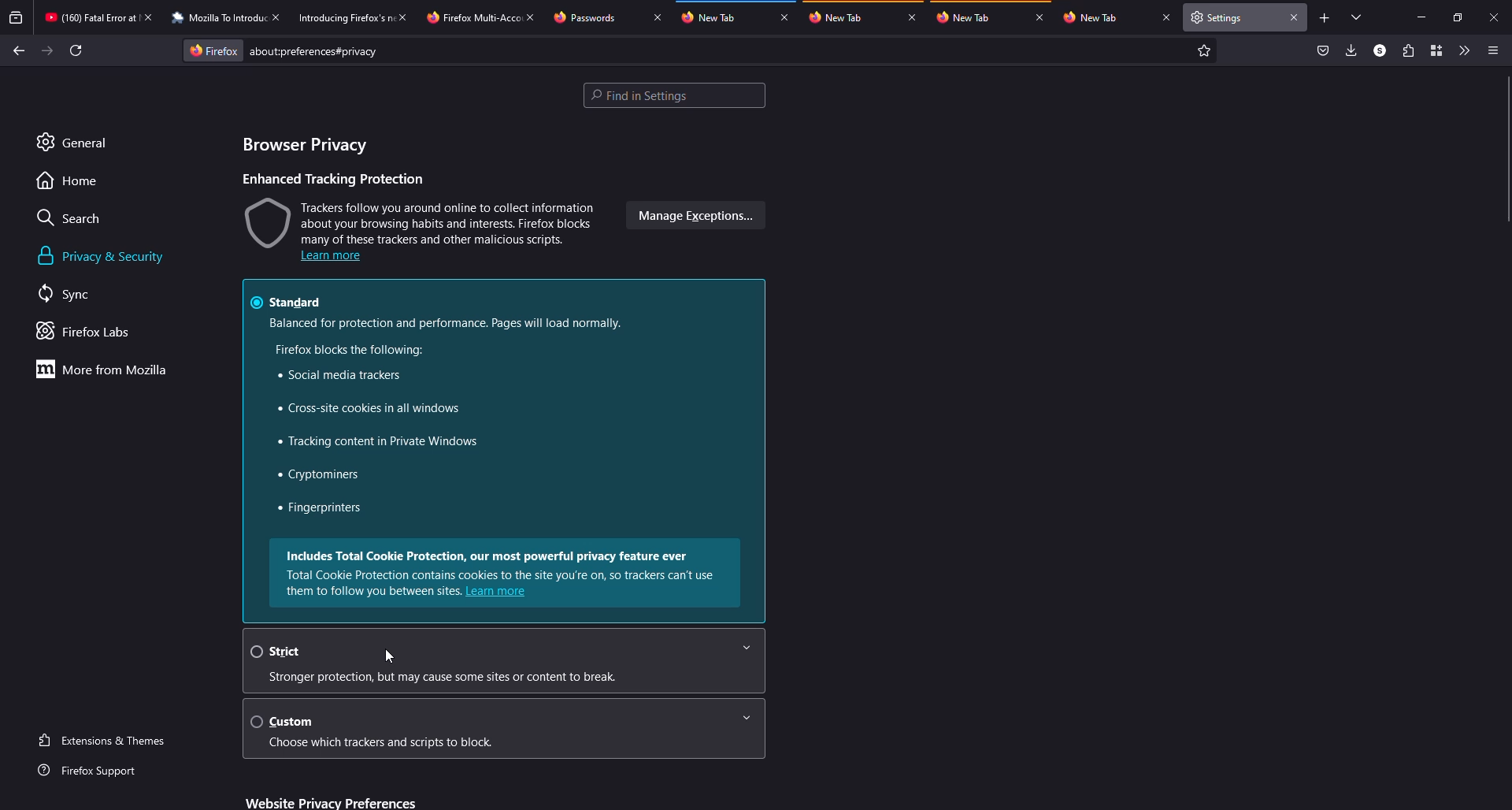 Image resolution: width=1512 pixels, height=810 pixels. What do you see at coordinates (369, 408) in the screenshot?
I see `cross-site cookies in all windows` at bounding box center [369, 408].